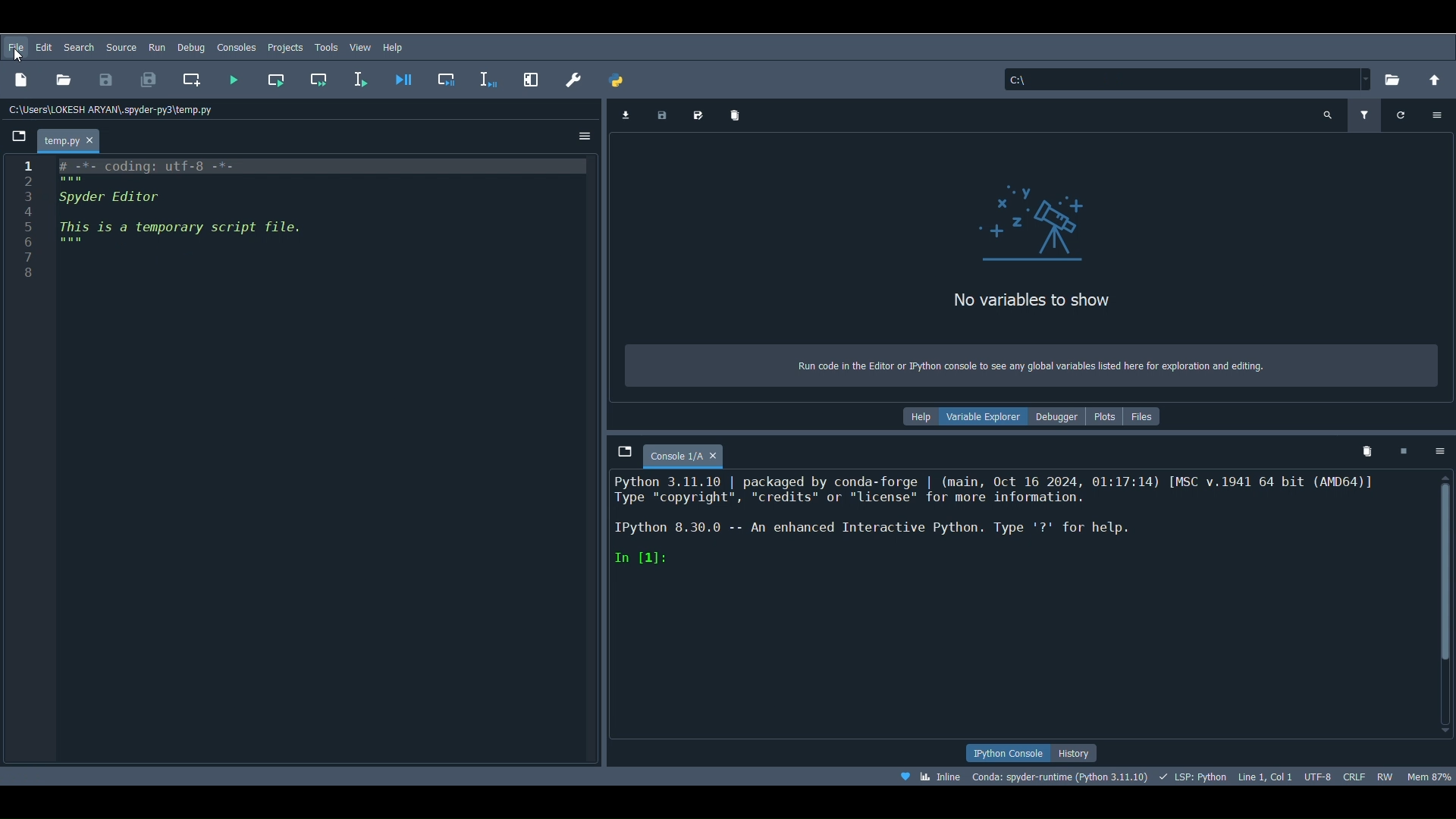 The height and width of the screenshot is (819, 1456). Describe the element at coordinates (44, 47) in the screenshot. I see `Edit` at that location.